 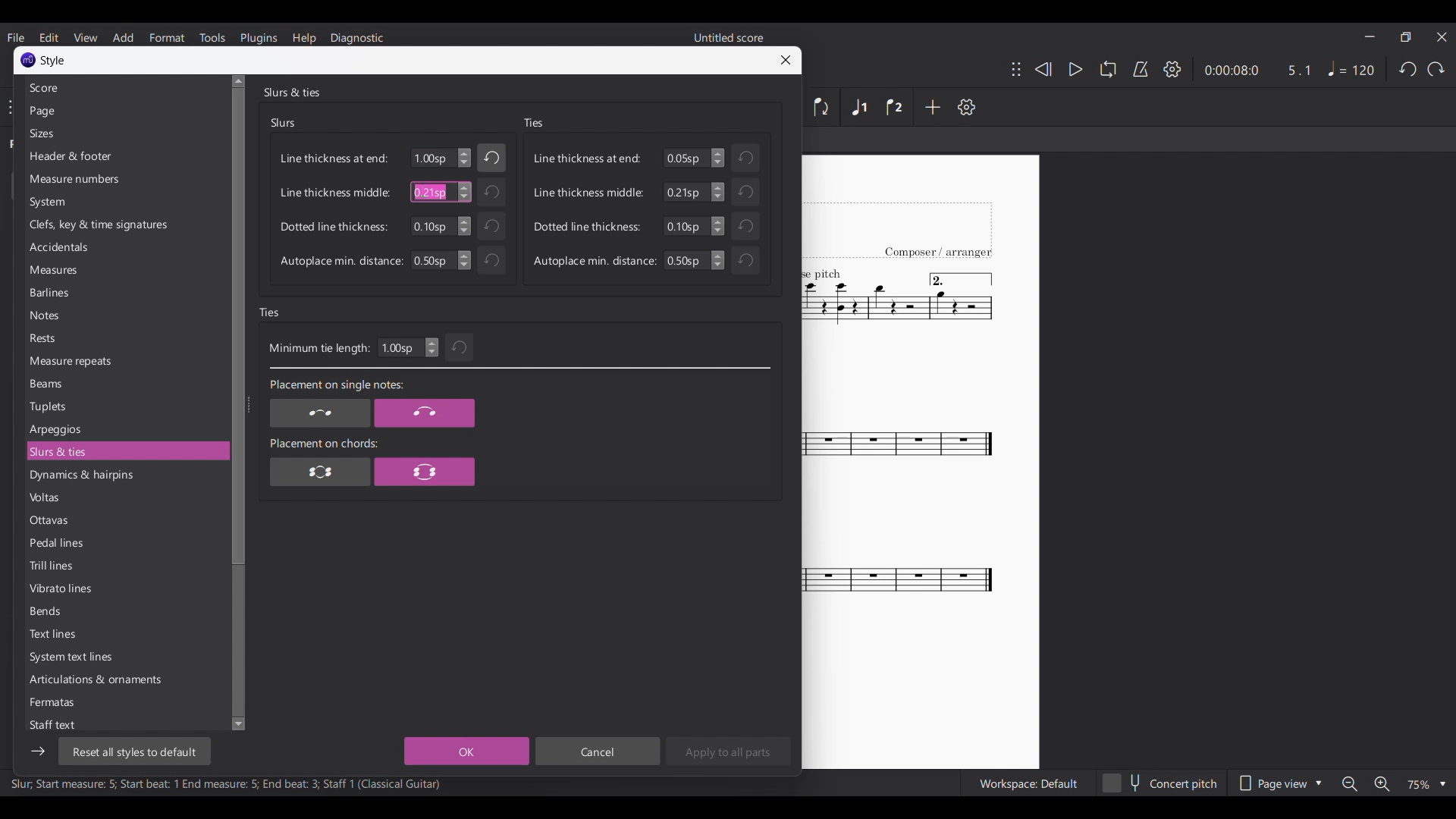 I want to click on Slurs & ties, so click(x=291, y=92).